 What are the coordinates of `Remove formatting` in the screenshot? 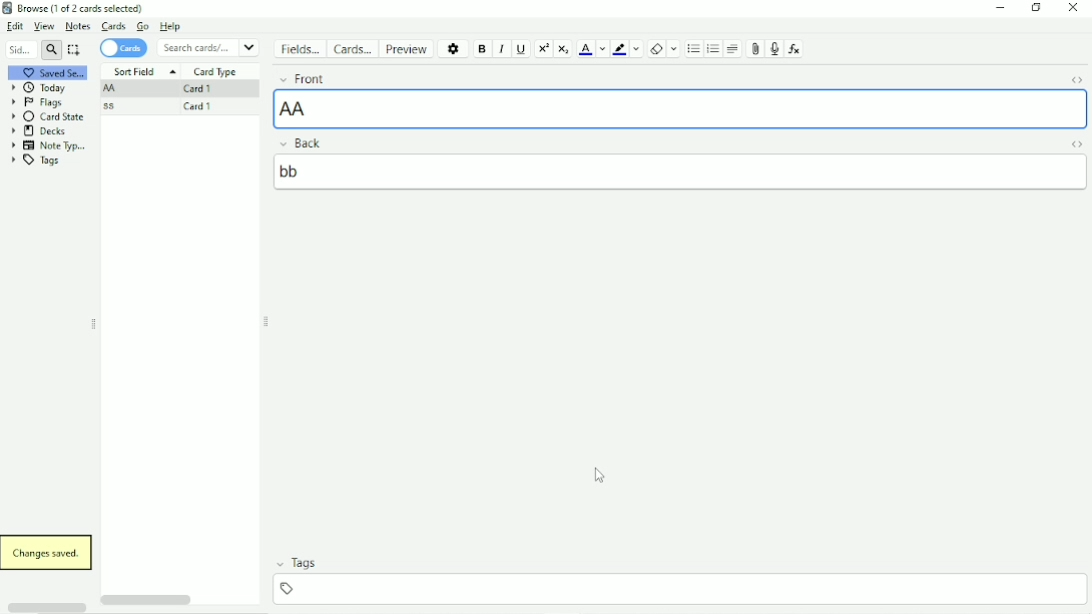 It's located at (655, 48).